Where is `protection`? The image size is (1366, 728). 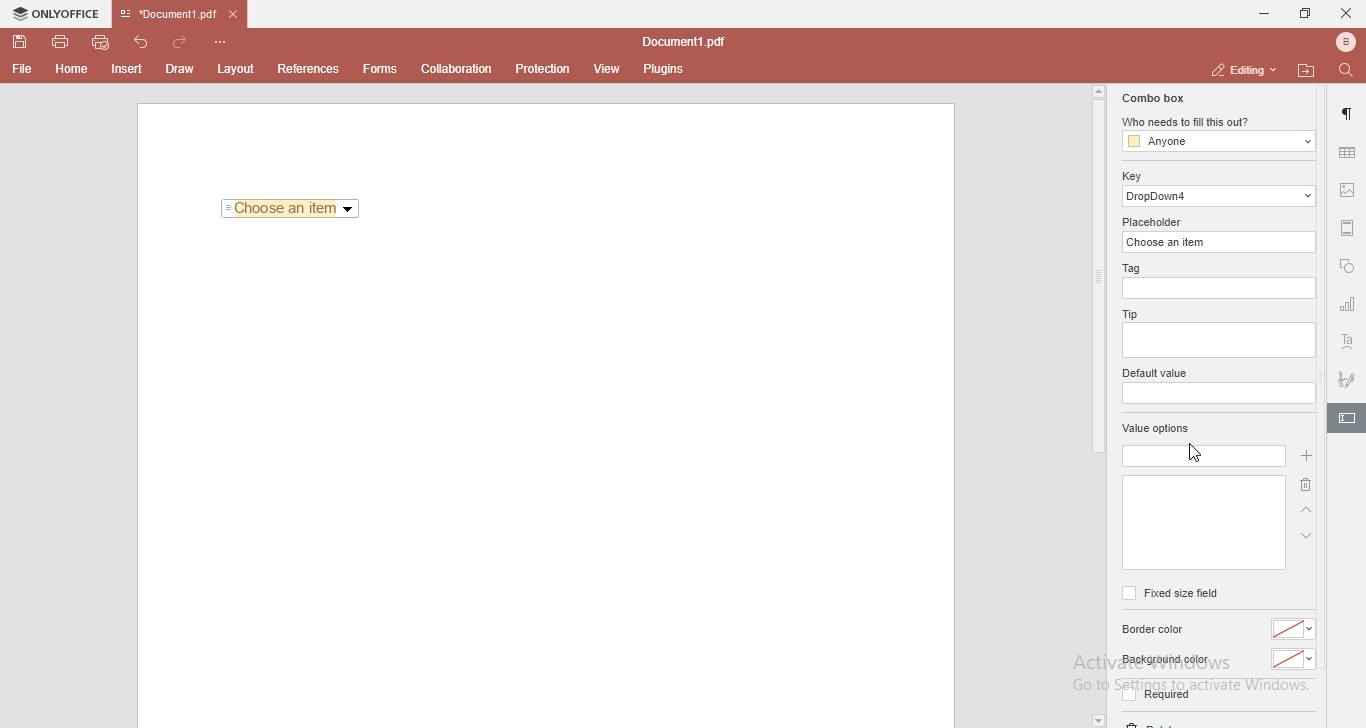 protection is located at coordinates (543, 68).